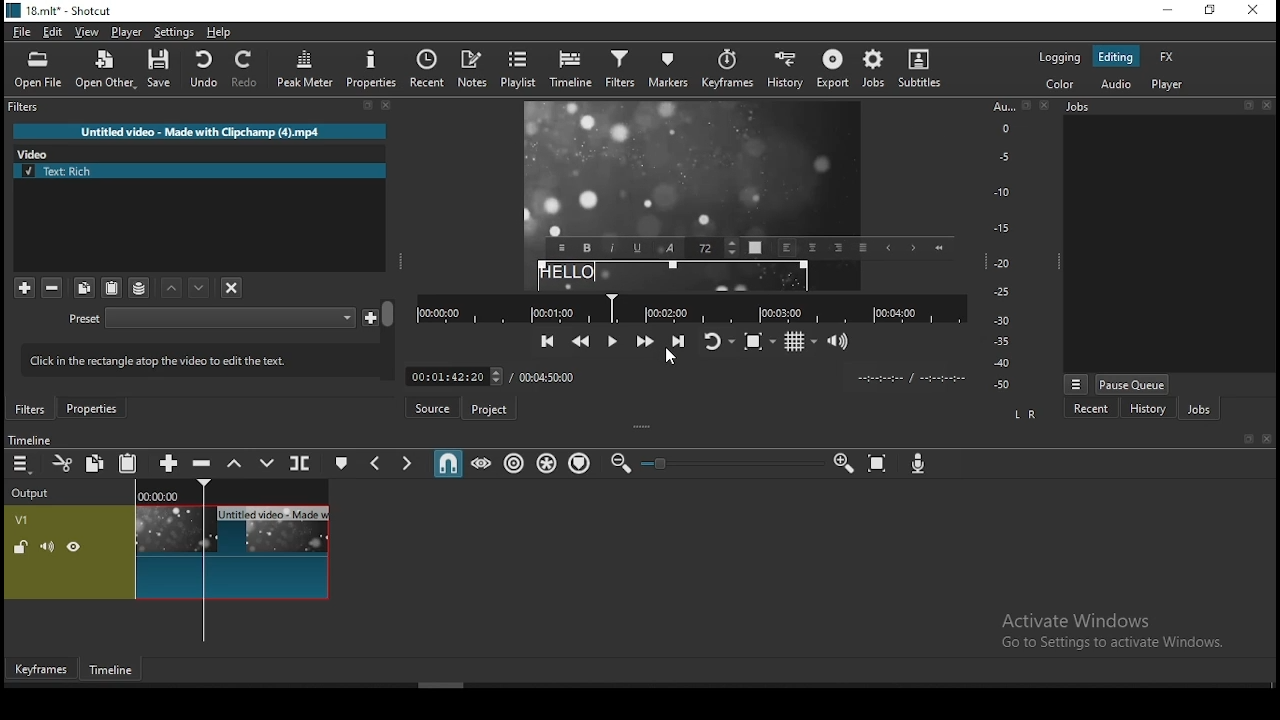 The width and height of the screenshot is (1280, 720). What do you see at coordinates (233, 490) in the screenshot?
I see `Timeline` at bounding box center [233, 490].